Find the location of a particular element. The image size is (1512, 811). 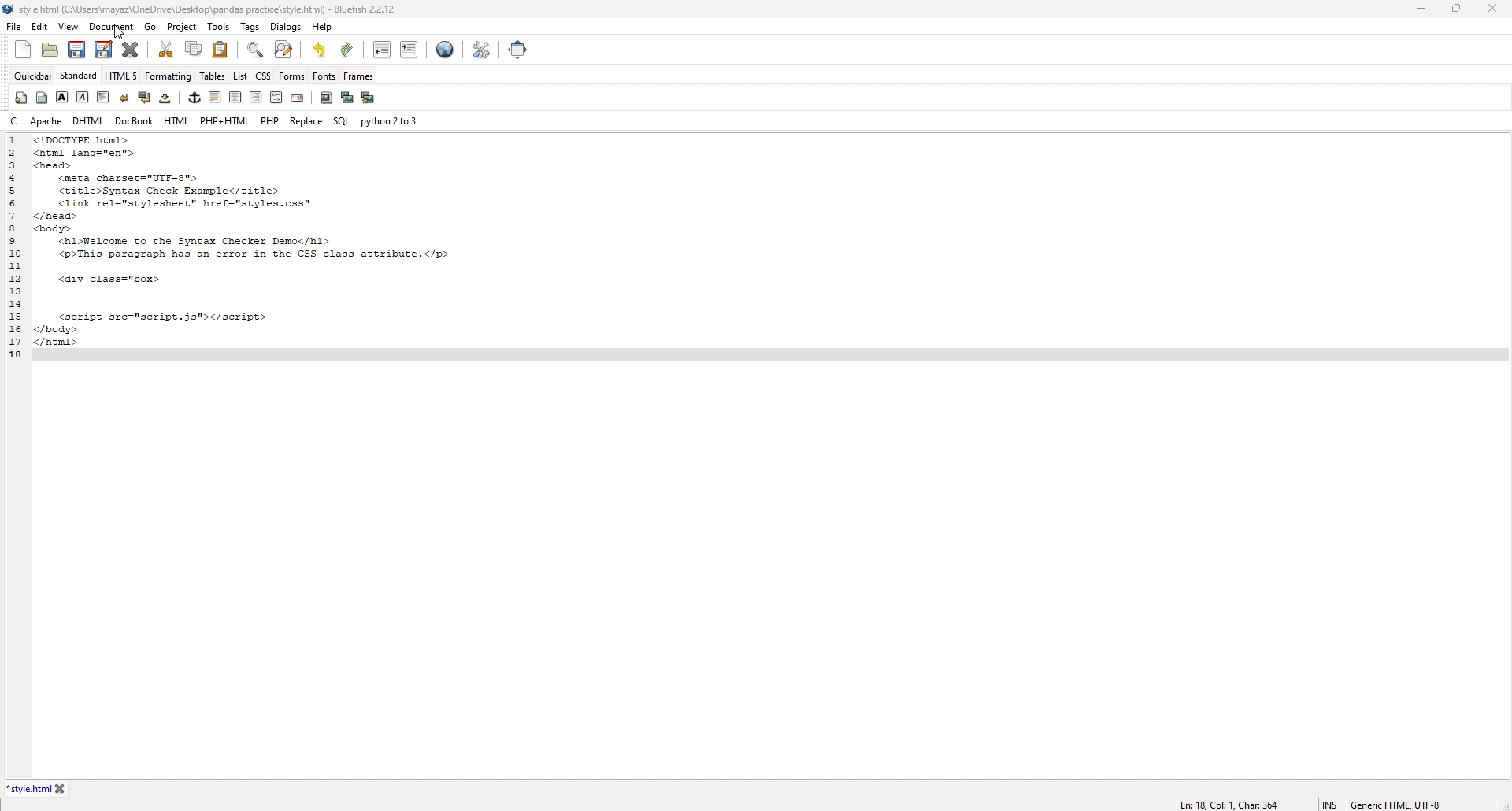

python 2to3 is located at coordinates (387, 121).